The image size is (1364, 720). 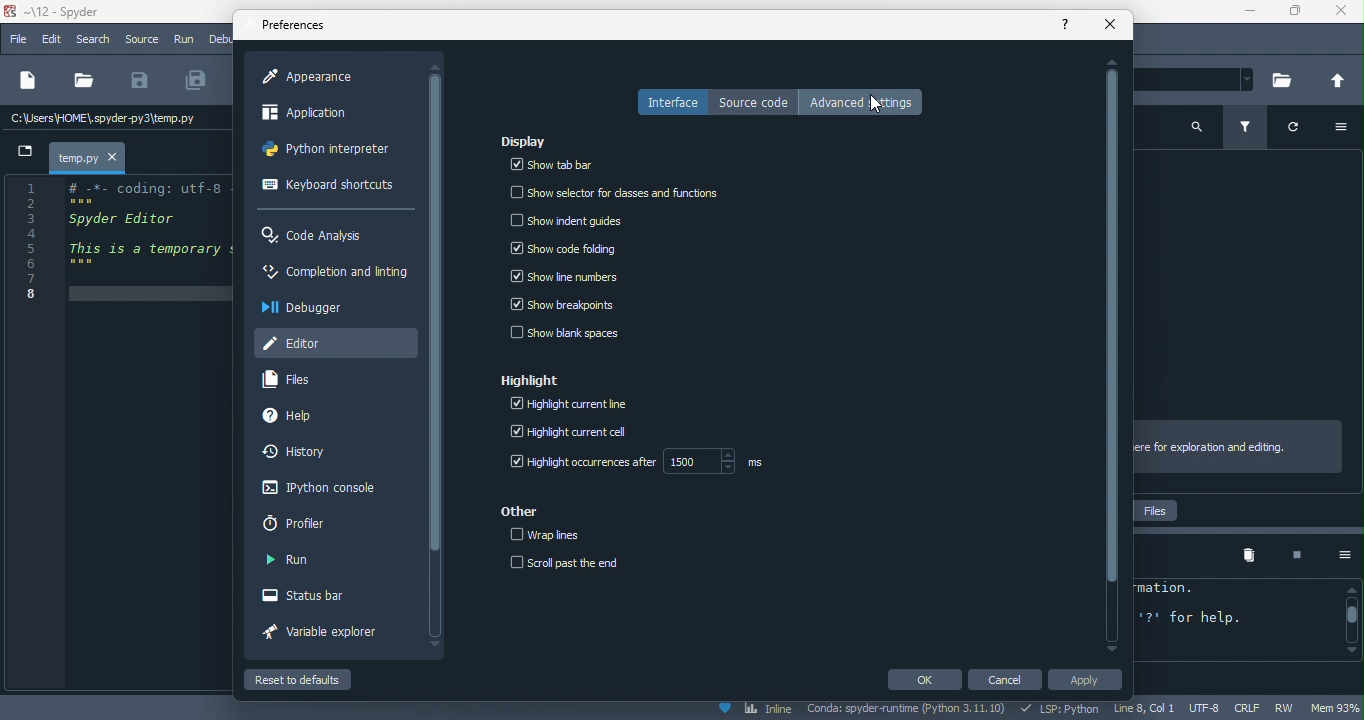 What do you see at coordinates (1063, 709) in the screenshot?
I see `lsp python` at bounding box center [1063, 709].